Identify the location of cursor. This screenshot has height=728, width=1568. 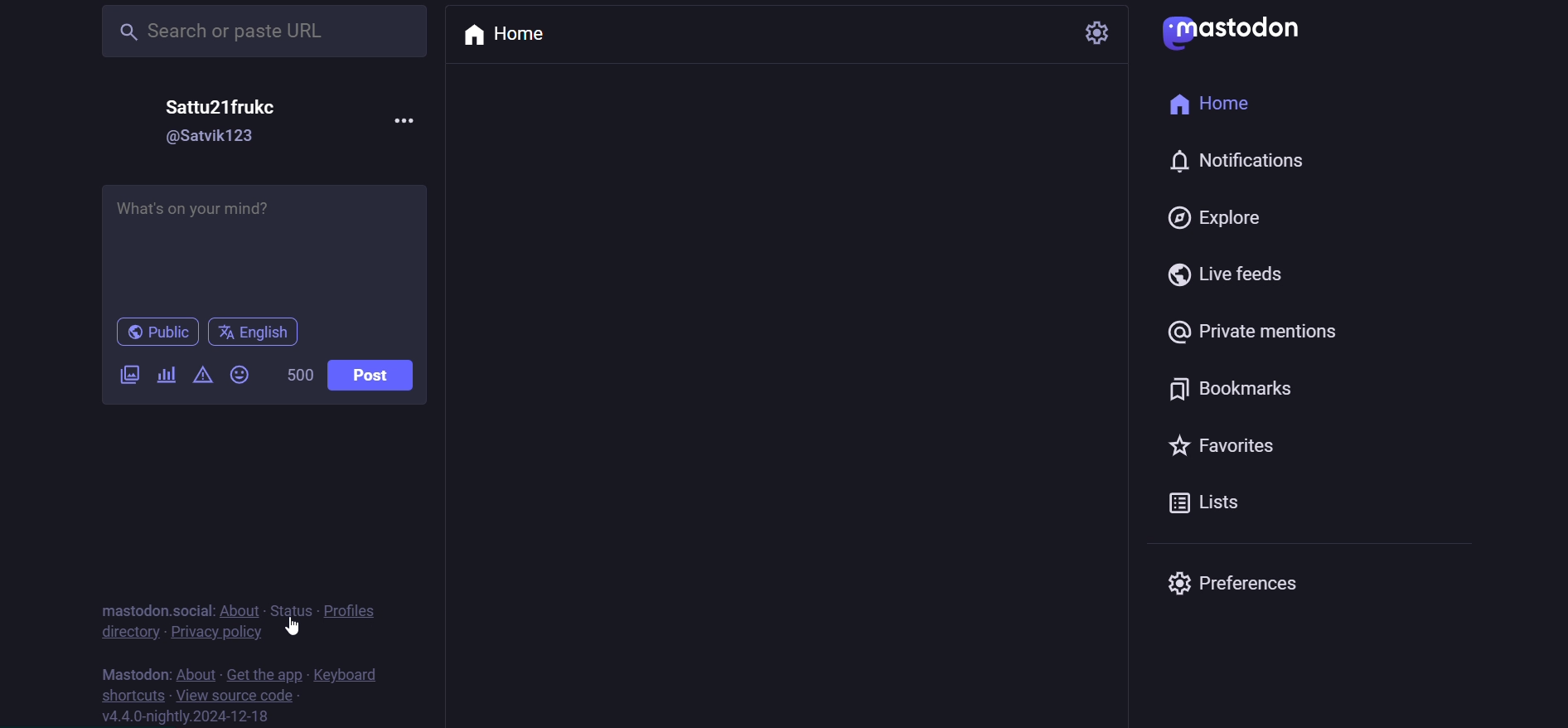
(296, 630).